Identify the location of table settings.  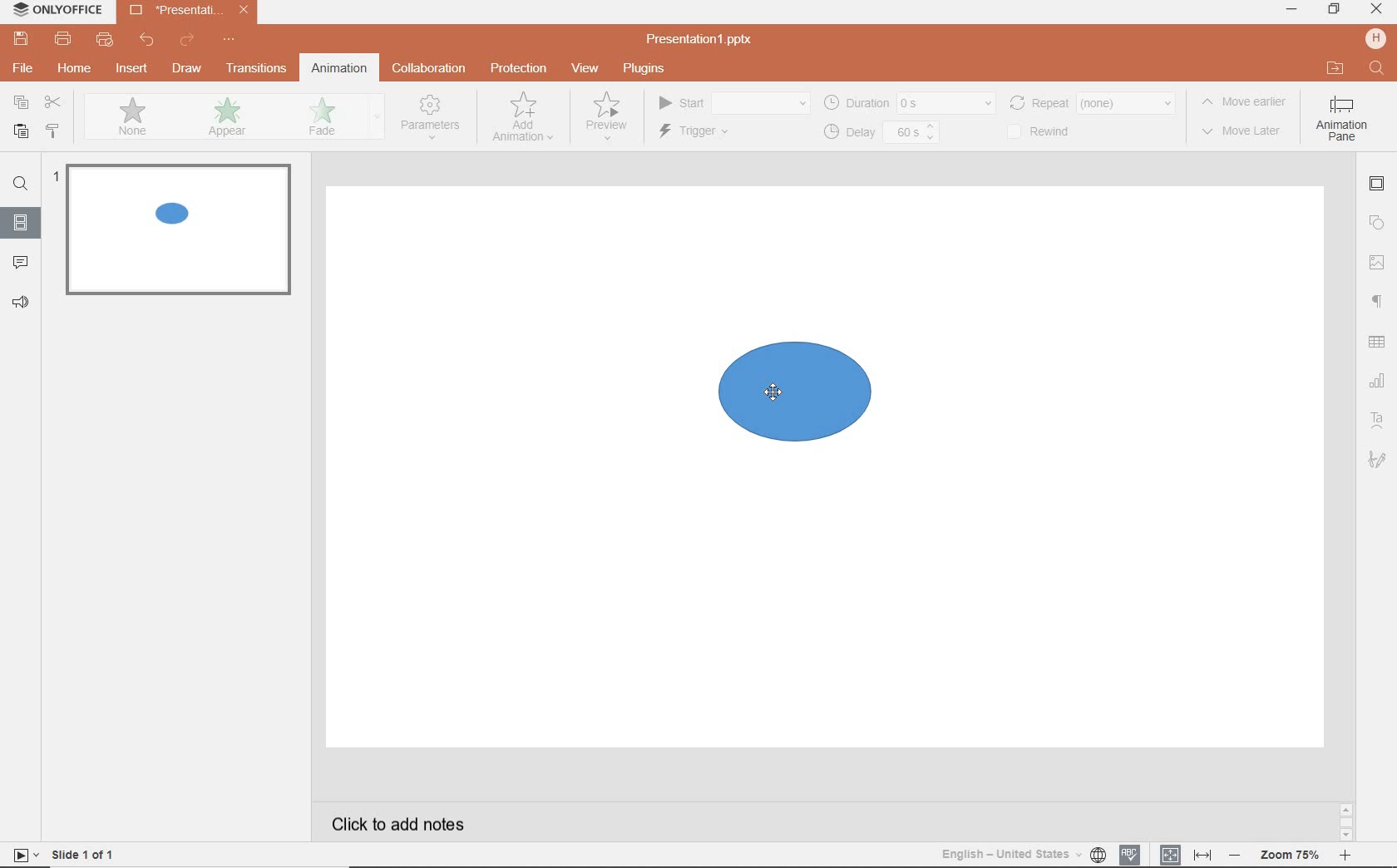
(1379, 343).